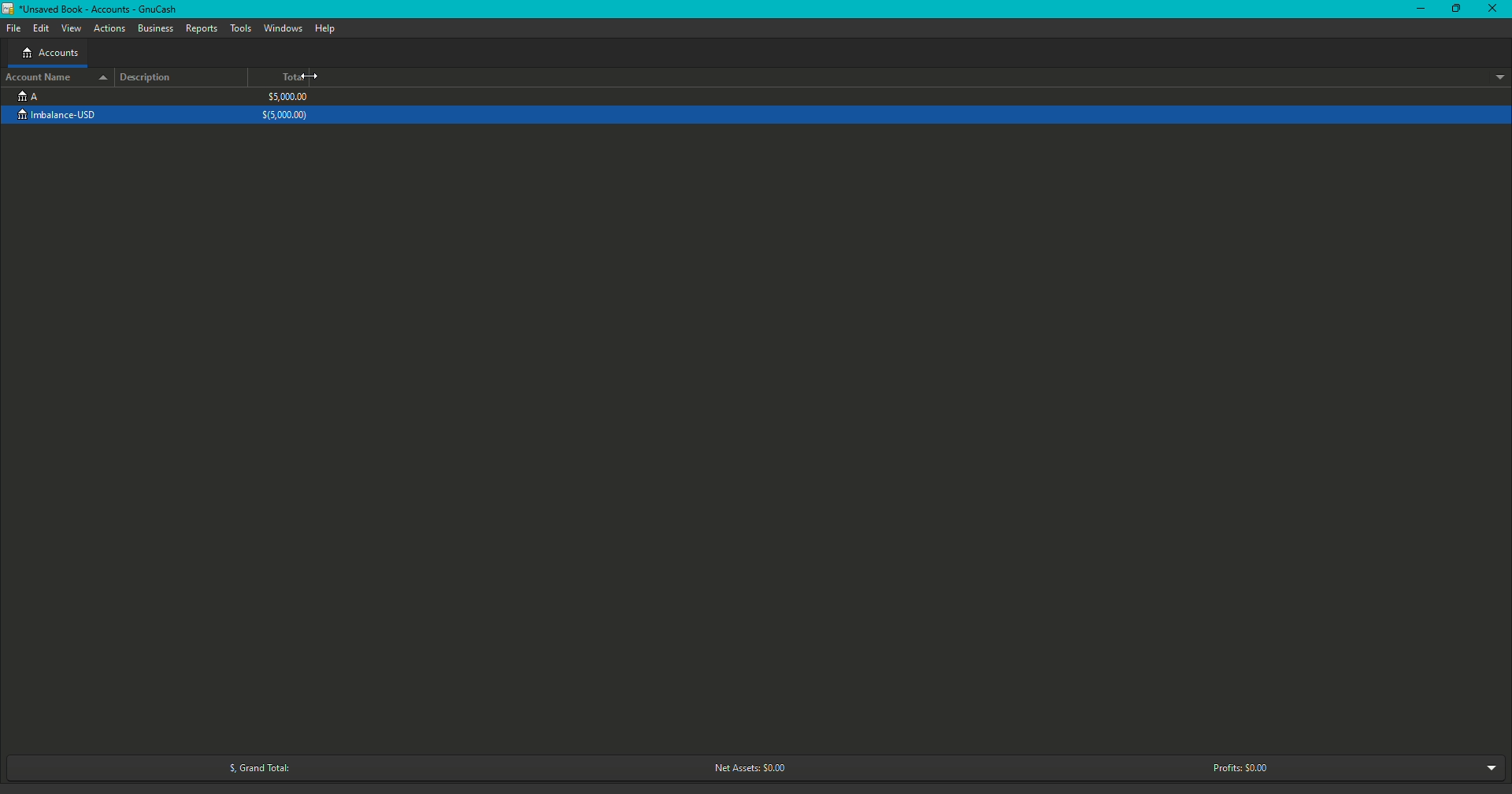 This screenshot has height=794, width=1512. I want to click on File, so click(17, 28).